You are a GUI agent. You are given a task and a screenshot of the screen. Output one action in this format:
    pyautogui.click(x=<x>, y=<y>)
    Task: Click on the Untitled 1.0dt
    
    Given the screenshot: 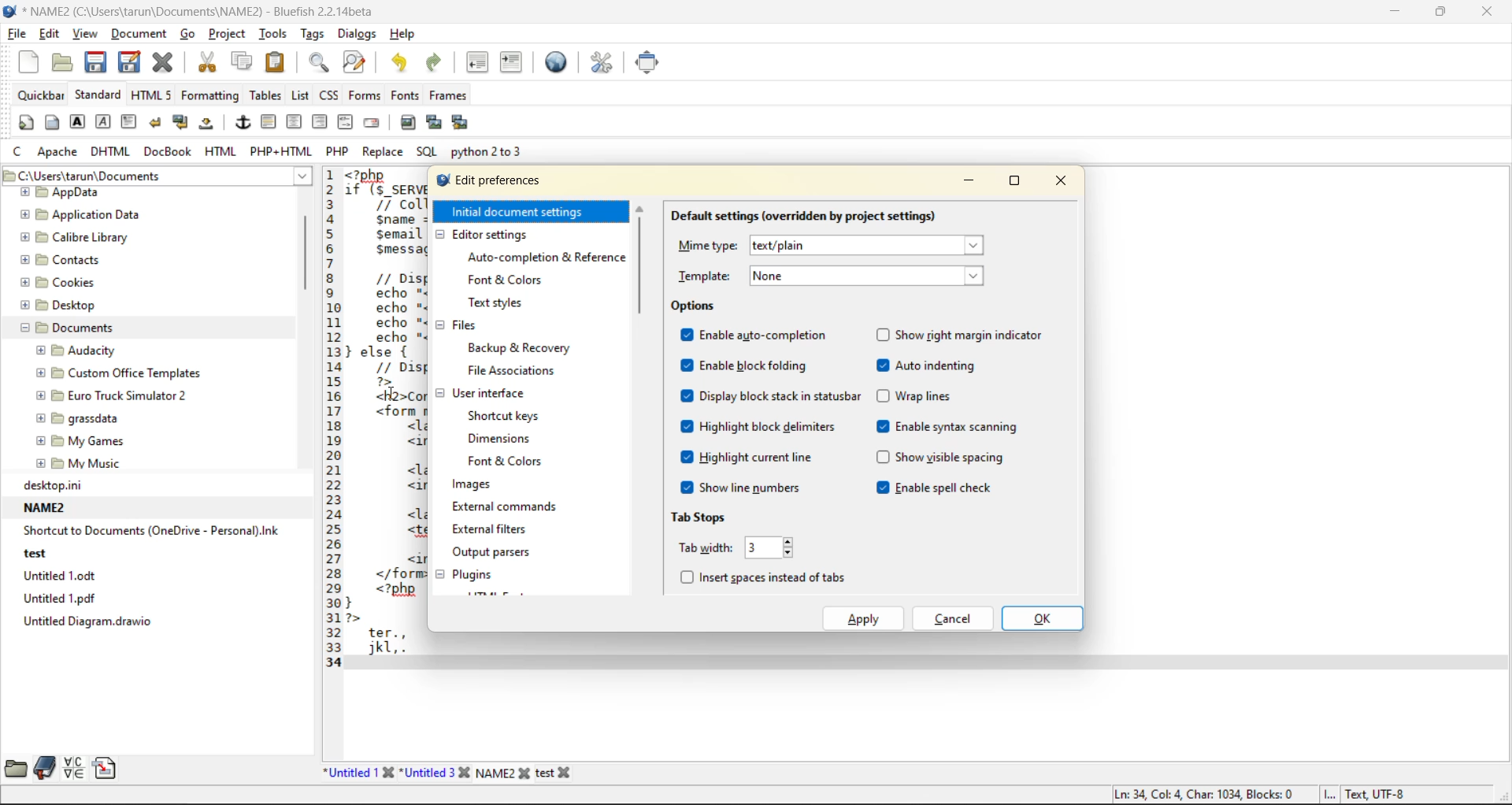 What is the action you would take?
    pyautogui.click(x=58, y=576)
    